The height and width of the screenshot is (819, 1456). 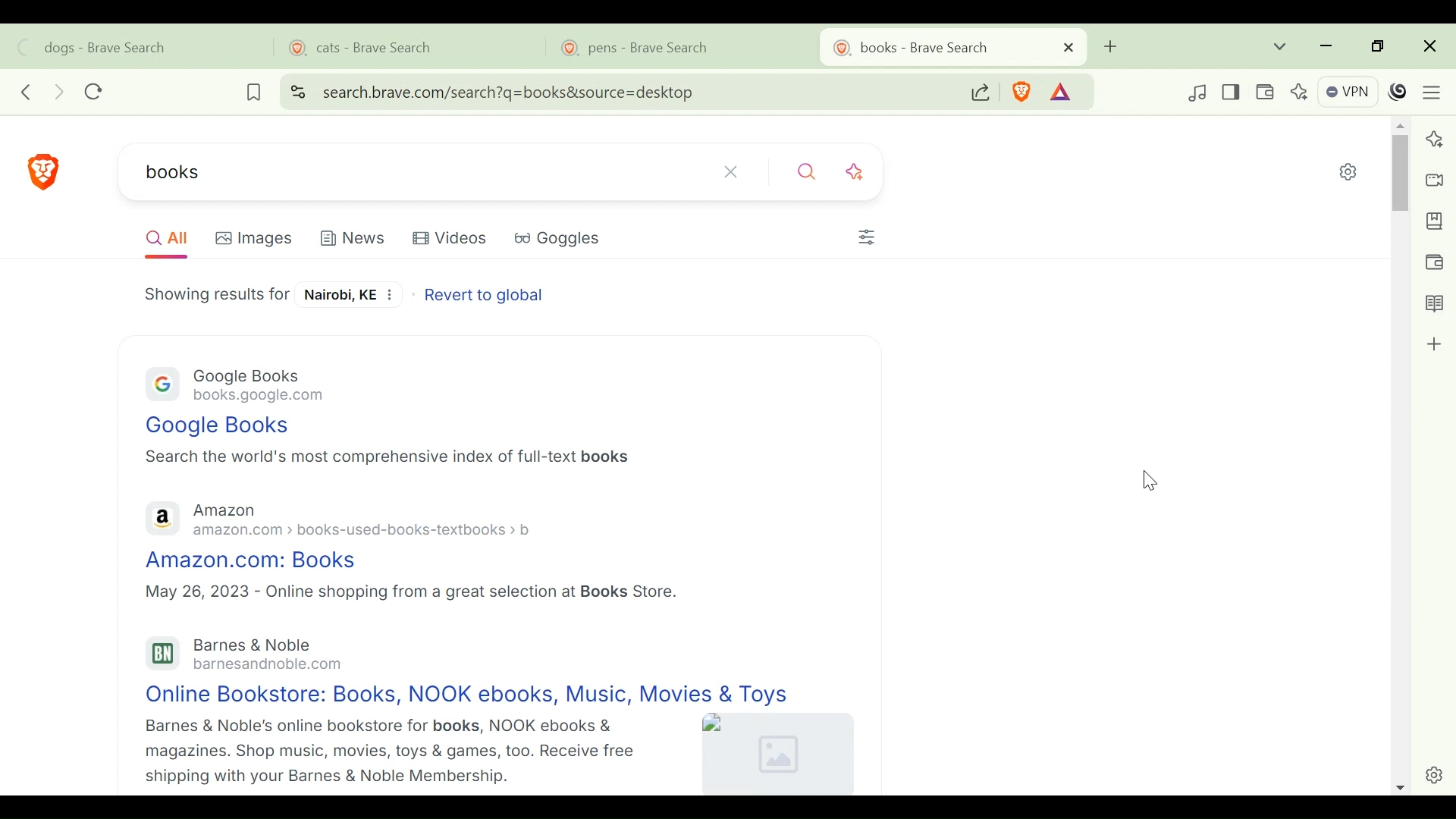 What do you see at coordinates (1396, 90) in the screenshot?
I see `Profile` at bounding box center [1396, 90].